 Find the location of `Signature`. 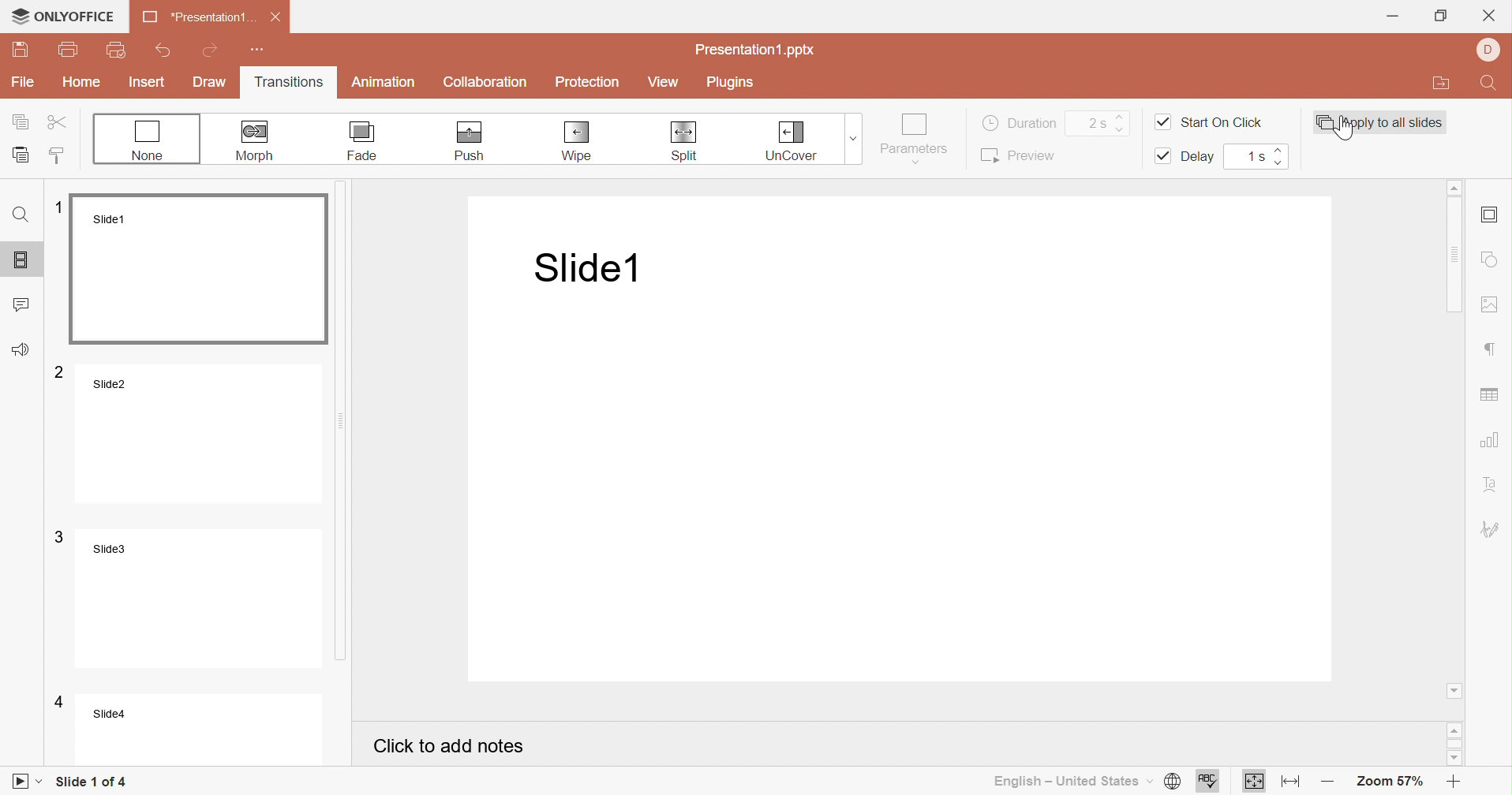

Signature is located at coordinates (1492, 529).